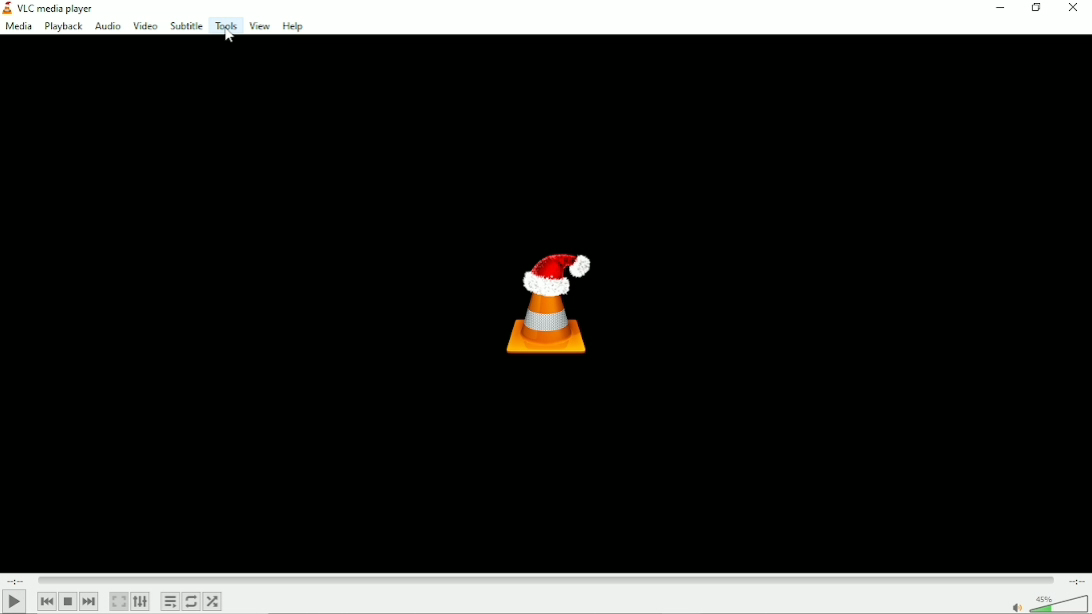  What do you see at coordinates (141, 601) in the screenshot?
I see `show extended settings` at bounding box center [141, 601].